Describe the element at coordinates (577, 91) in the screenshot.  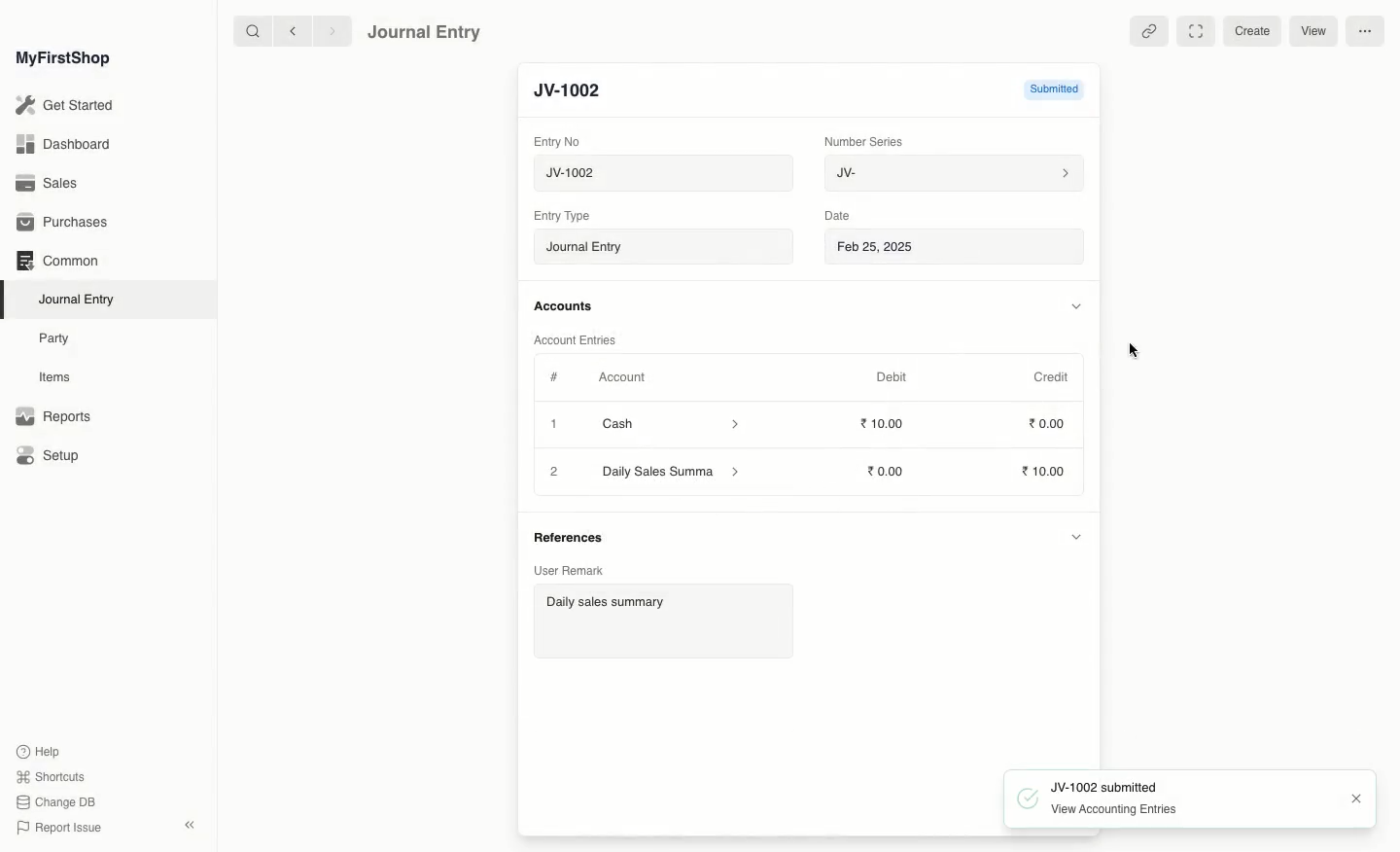
I see `New Entry` at that location.